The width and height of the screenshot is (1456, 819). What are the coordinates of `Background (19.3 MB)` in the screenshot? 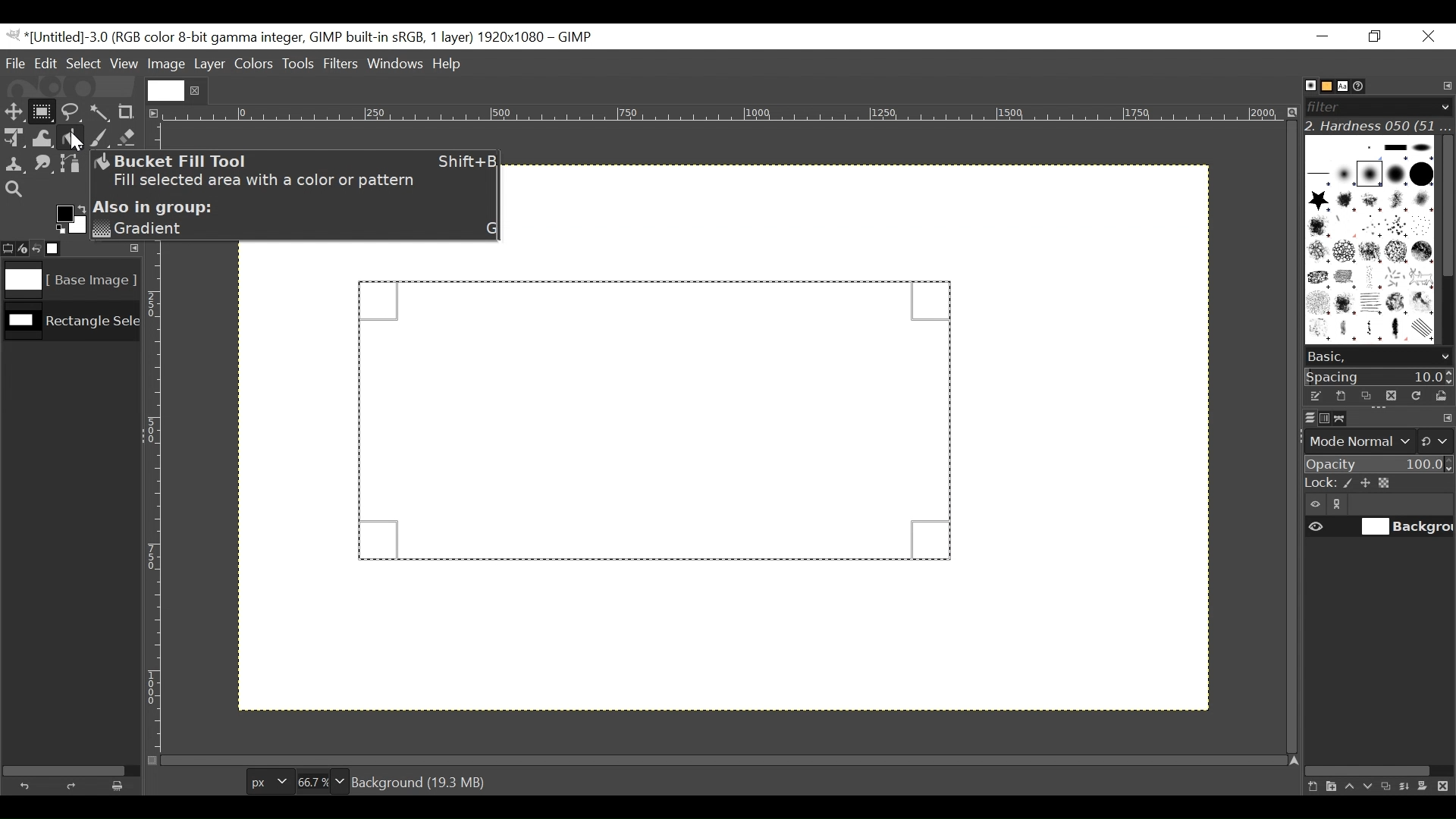 It's located at (422, 781).